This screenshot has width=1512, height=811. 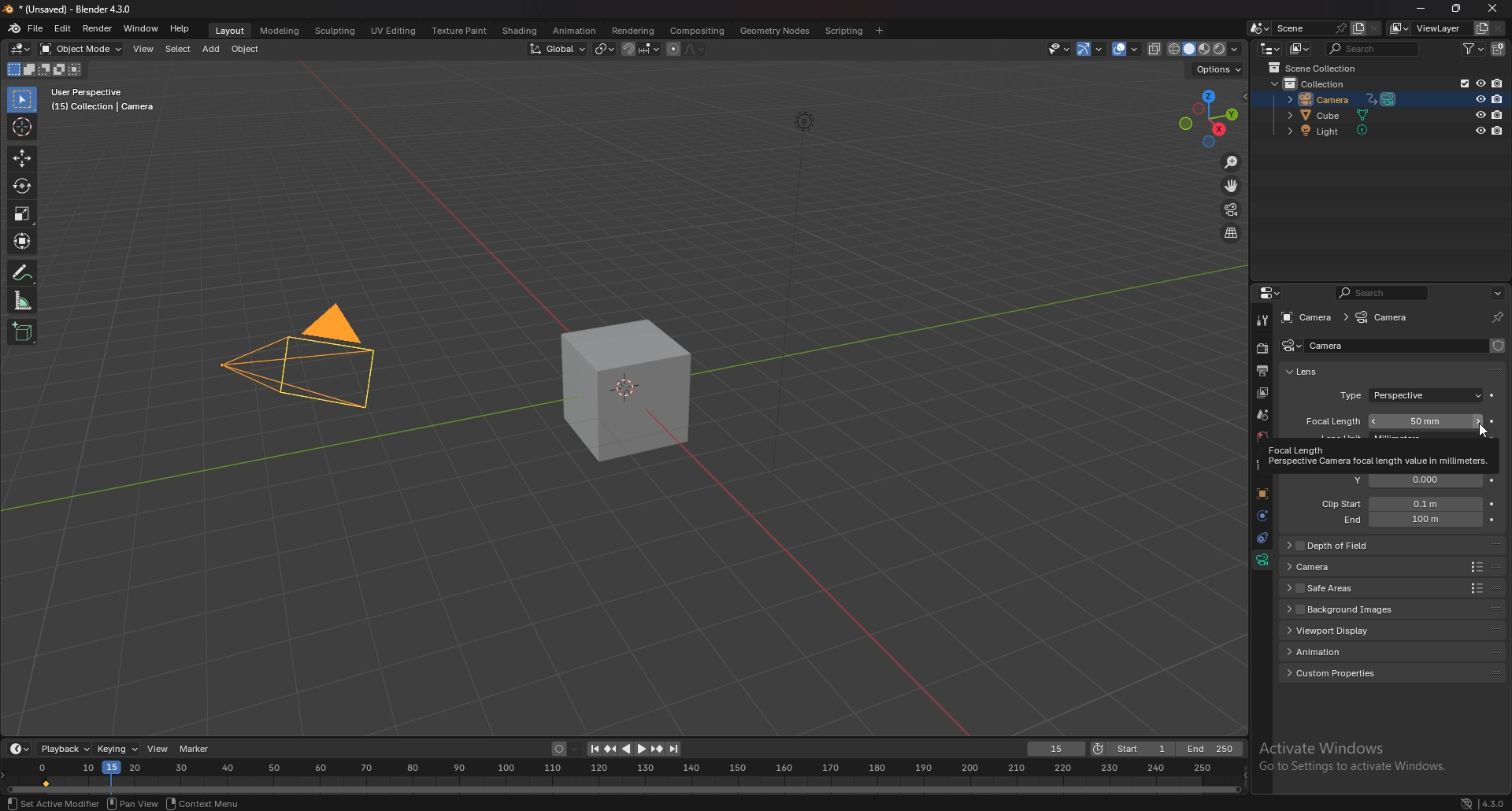 What do you see at coordinates (157, 749) in the screenshot?
I see `view` at bounding box center [157, 749].